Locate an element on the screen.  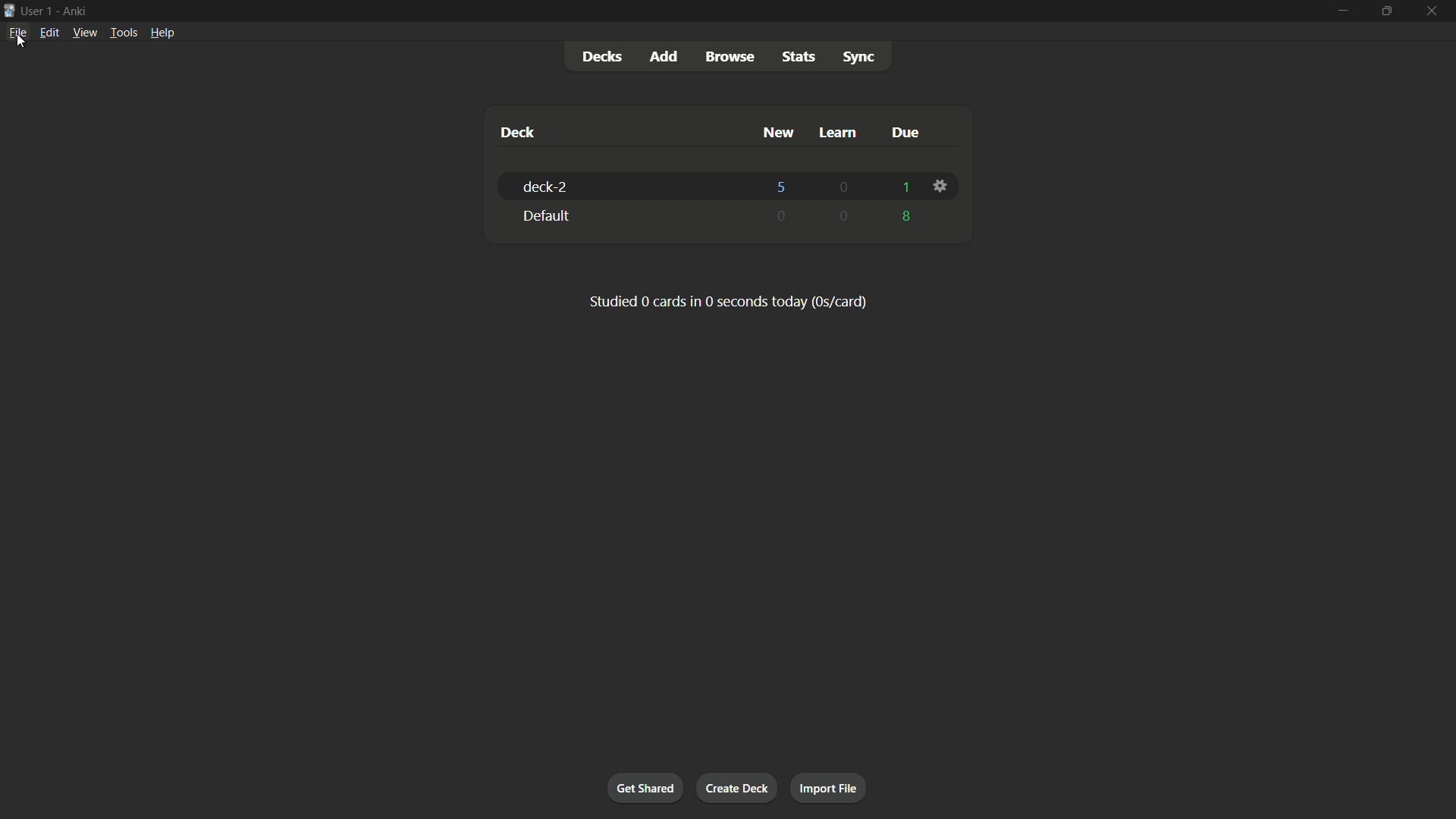
Maximize is located at coordinates (1385, 11).